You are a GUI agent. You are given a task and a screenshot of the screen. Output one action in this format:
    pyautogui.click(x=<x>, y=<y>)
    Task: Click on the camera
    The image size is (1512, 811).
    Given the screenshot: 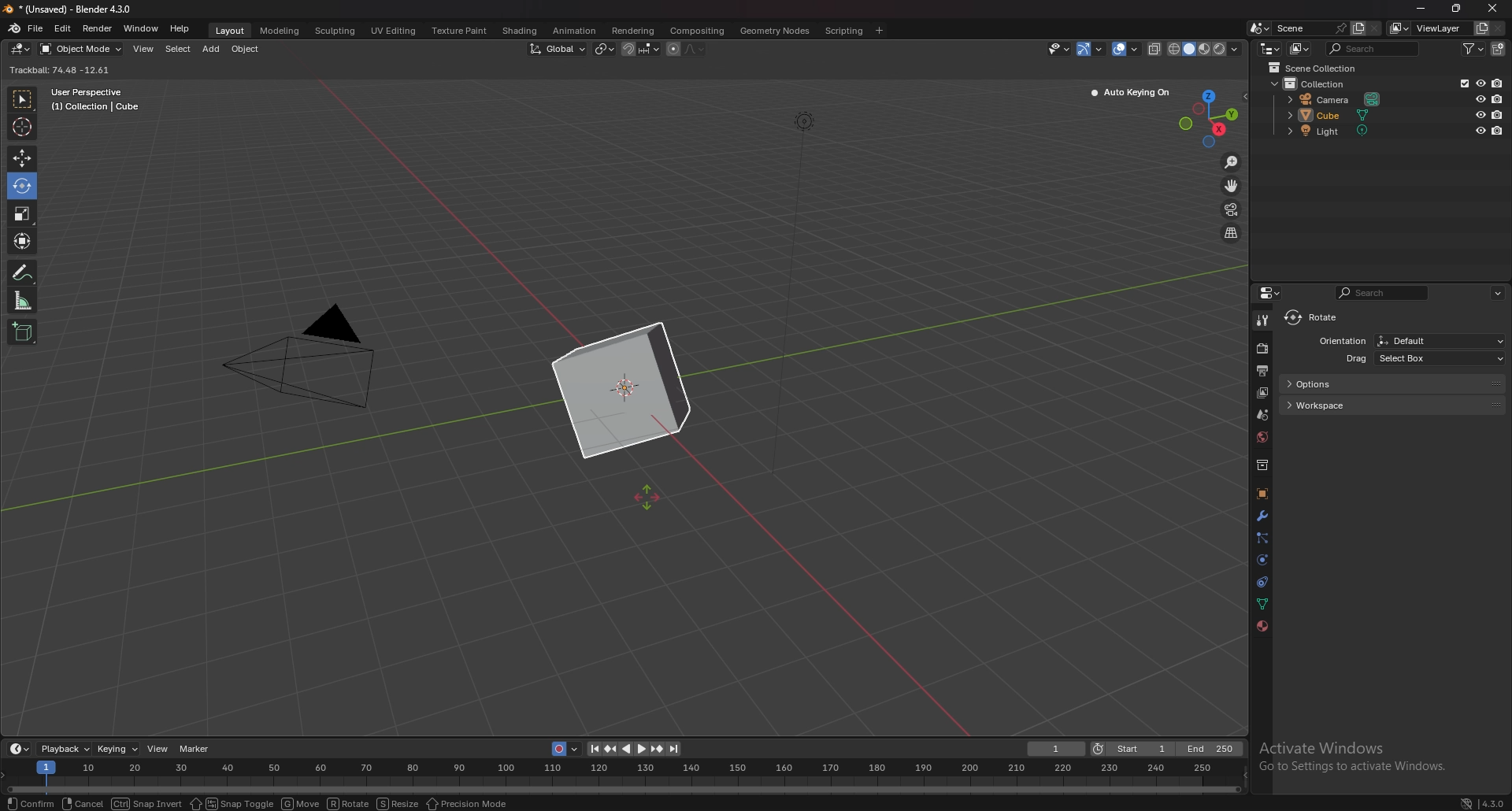 What is the action you would take?
    pyautogui.click(x=1337, y=98)
    